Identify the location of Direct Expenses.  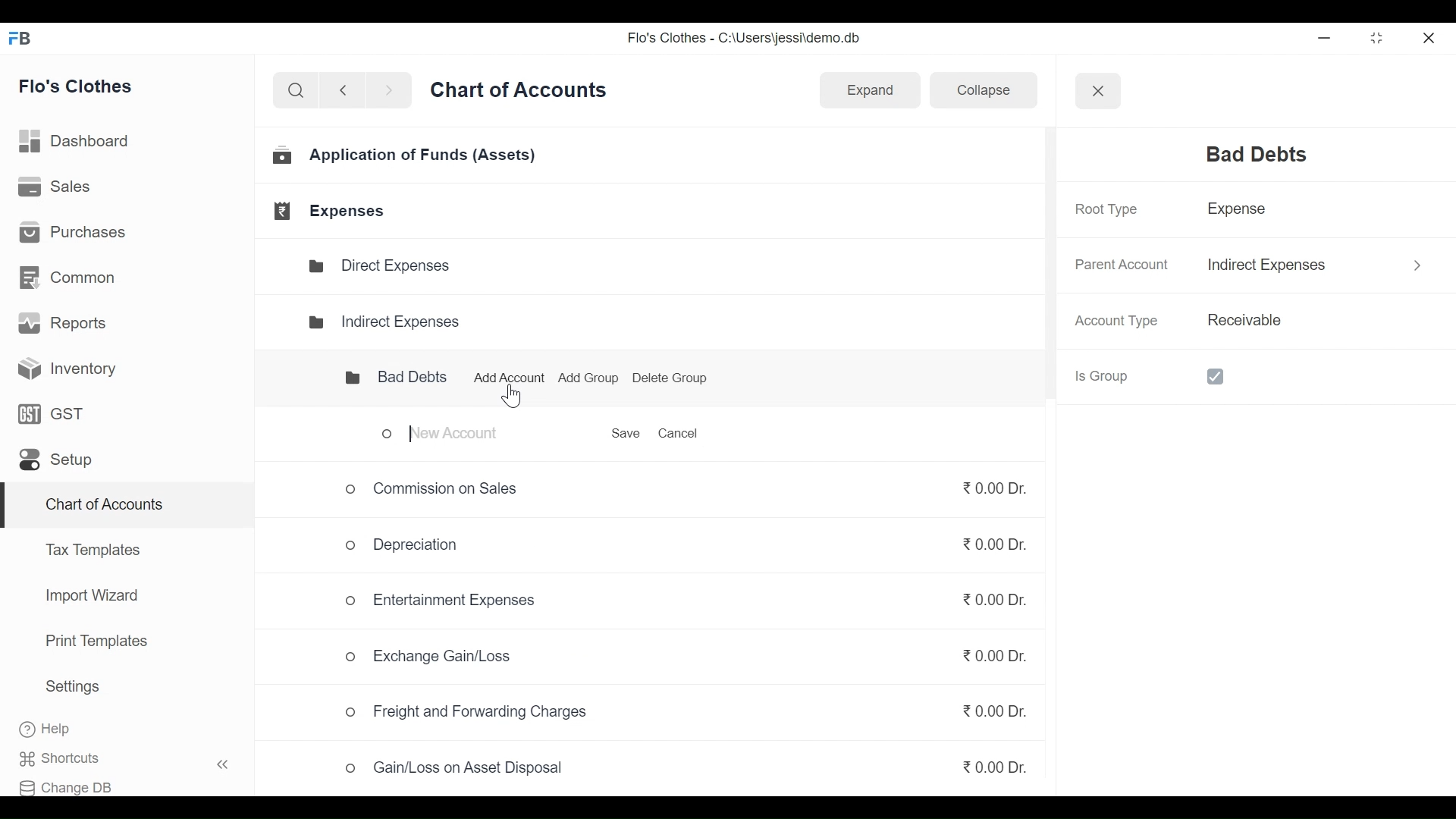
(387, 266).